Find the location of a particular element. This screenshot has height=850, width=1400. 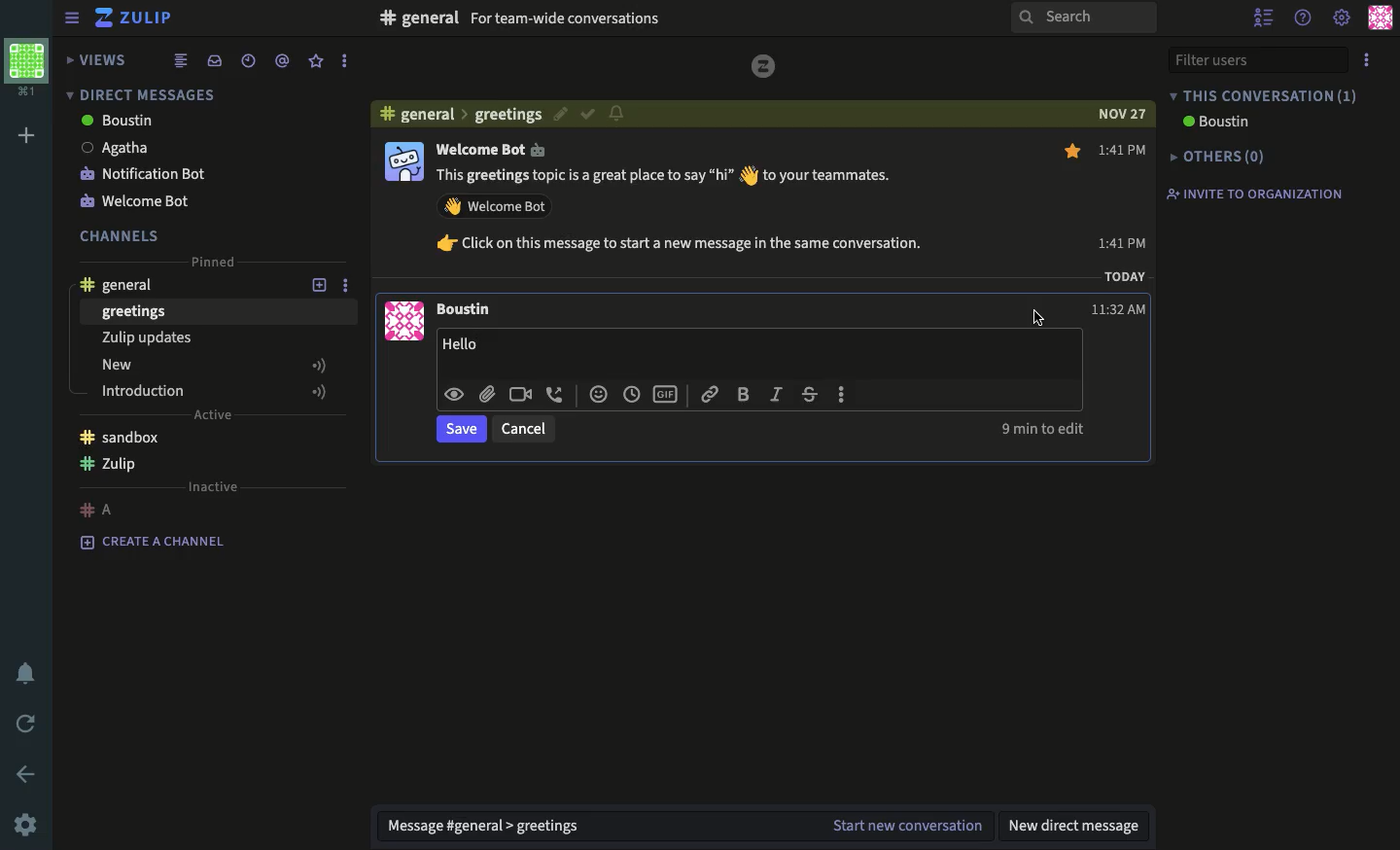

sidebar is located at coordinates (68, 18).